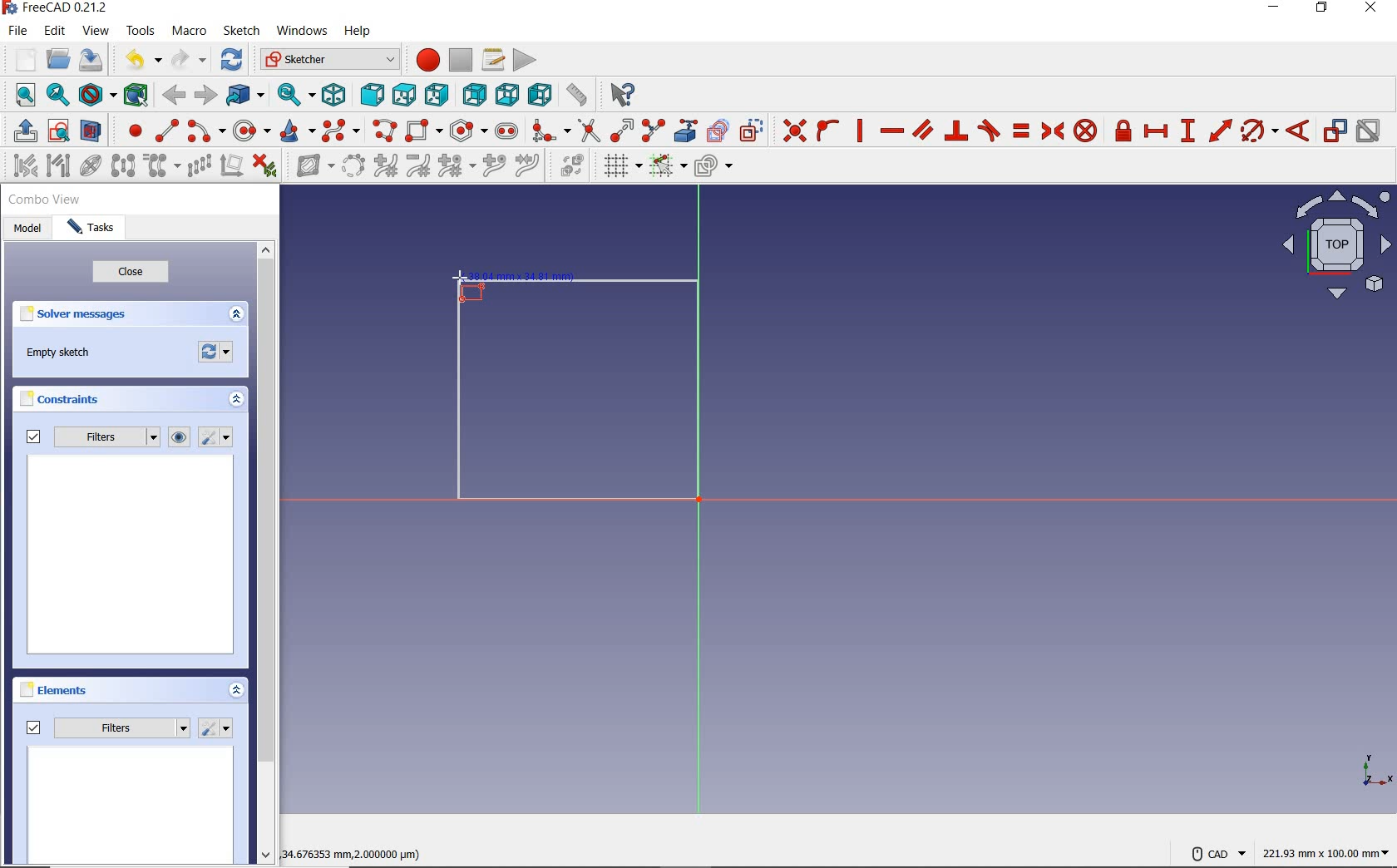  I want to click on file, so click(20, 32).